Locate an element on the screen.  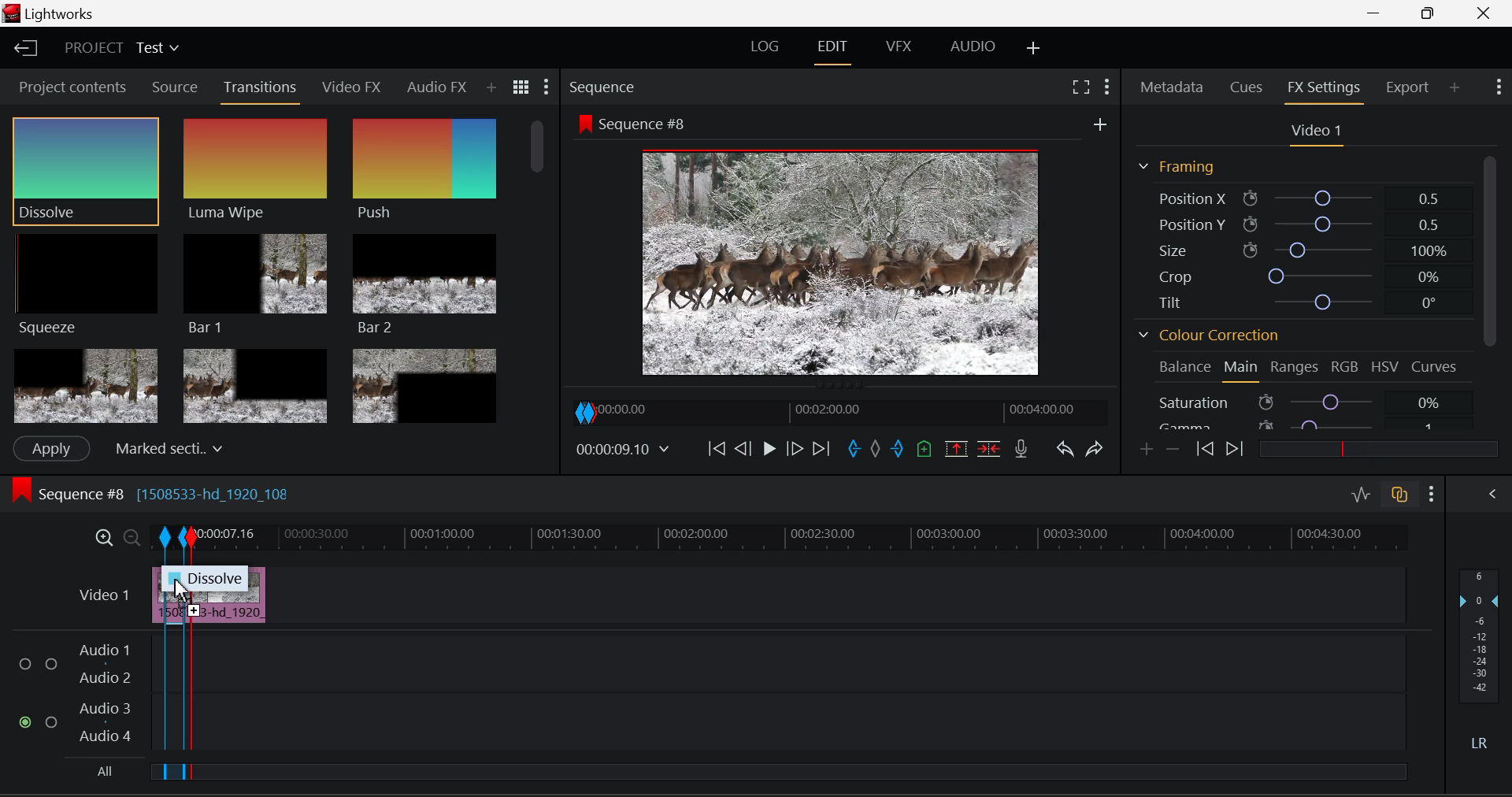
Delete/Cut is located at coordinates (992, 447).